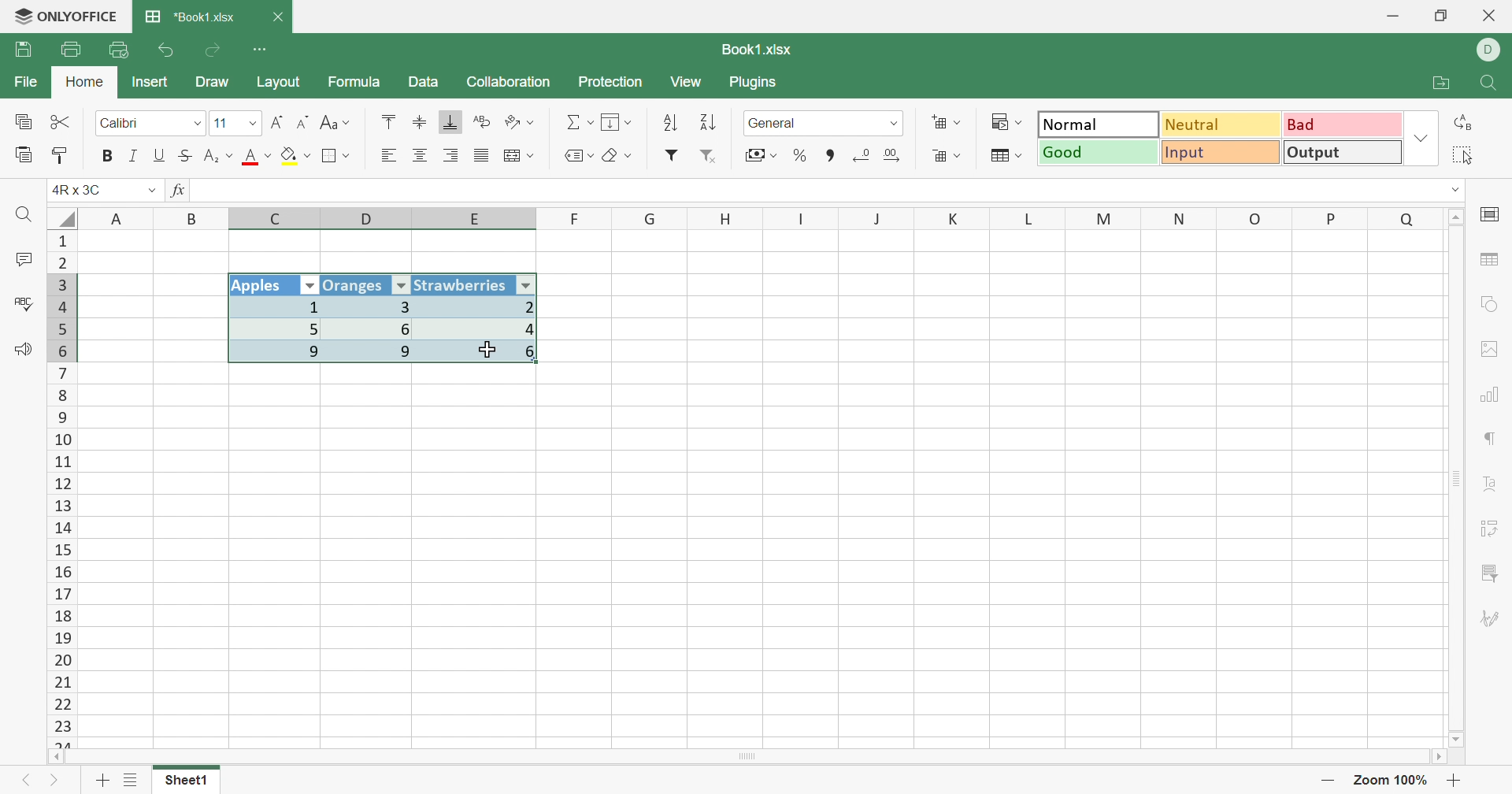 The height and width of the screenshot is (794, 1512). I want to click on Scroll right, so click(1436, 757).